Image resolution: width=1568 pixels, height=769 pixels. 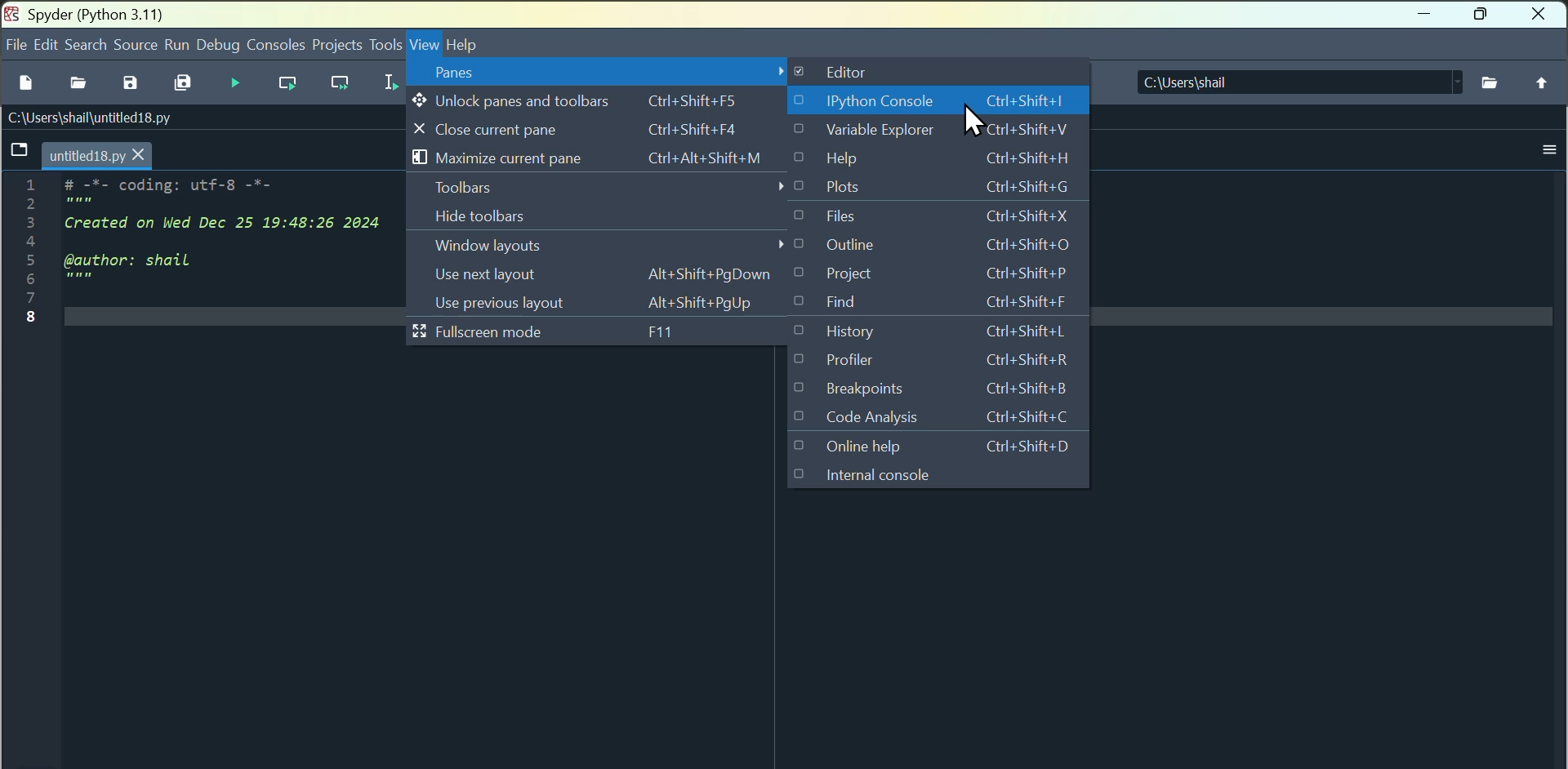 What do you see at coordinates (183, 83) in the screenshot?
I see `Save all` at bounding box center [183, 83].